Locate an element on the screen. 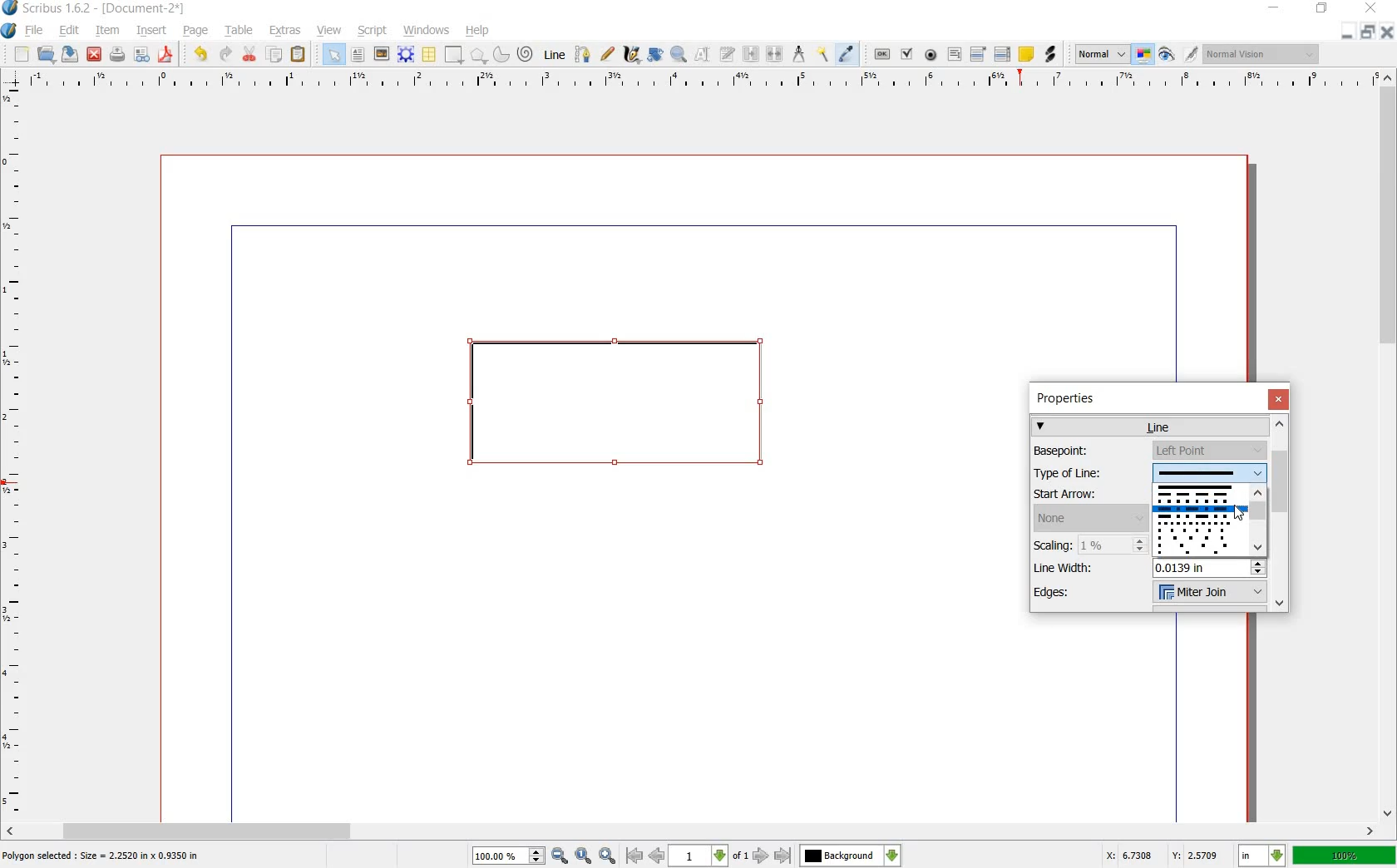  CLOSE is located at coordinates (1389, 32).